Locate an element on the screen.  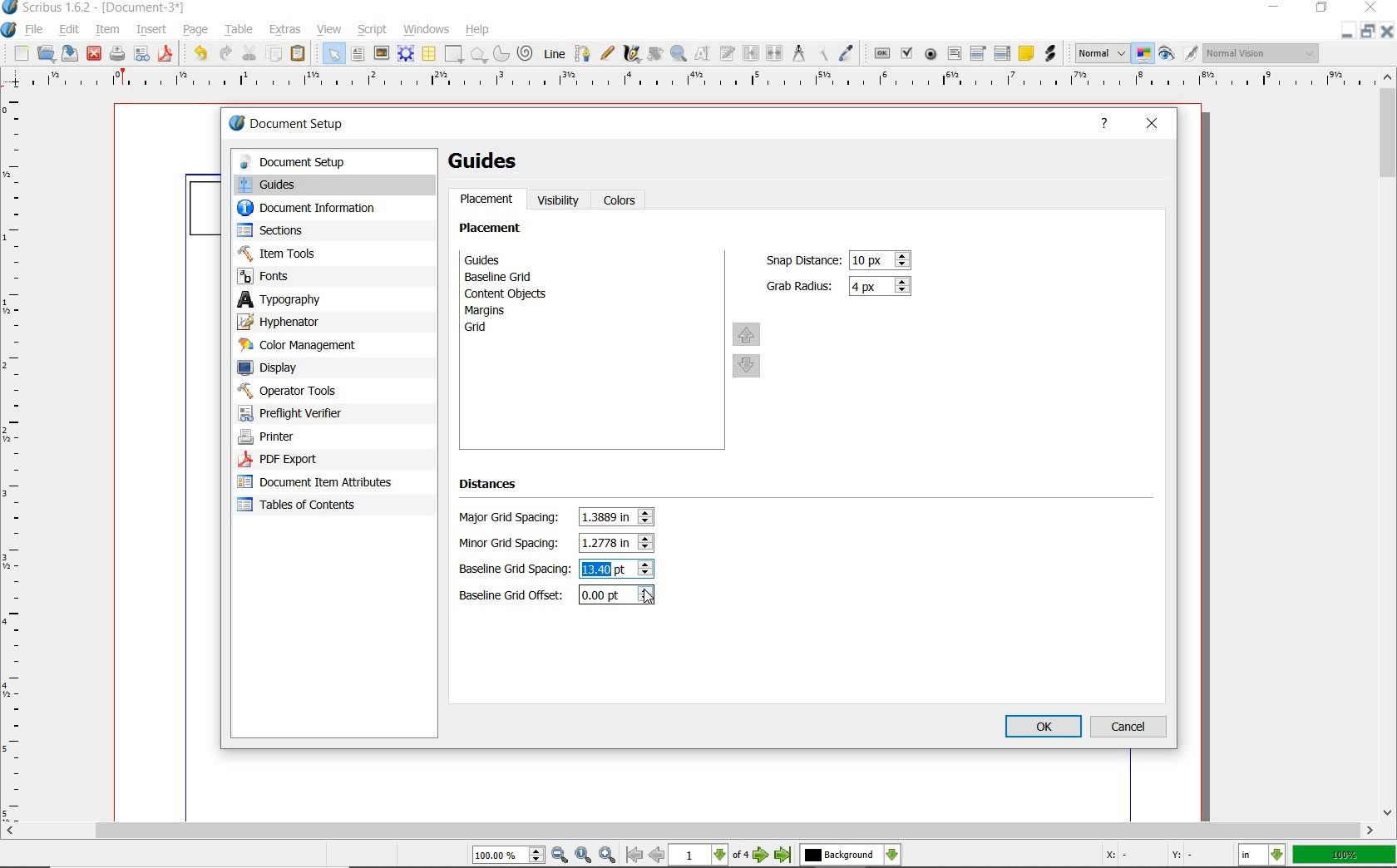
measurements is located at coordinates (797, 52).